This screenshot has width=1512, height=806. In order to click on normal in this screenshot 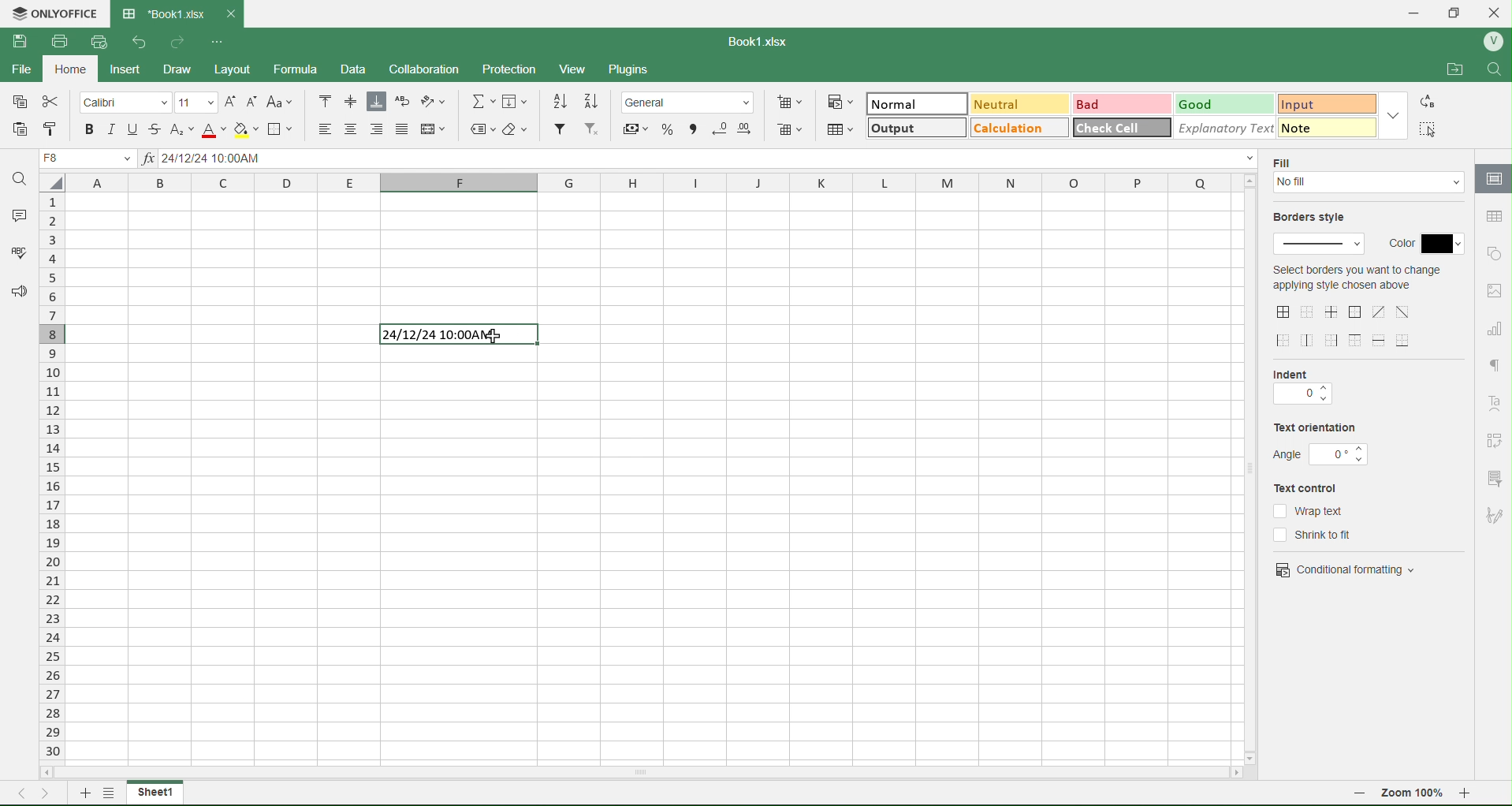, I will do `click(897, 104)`.